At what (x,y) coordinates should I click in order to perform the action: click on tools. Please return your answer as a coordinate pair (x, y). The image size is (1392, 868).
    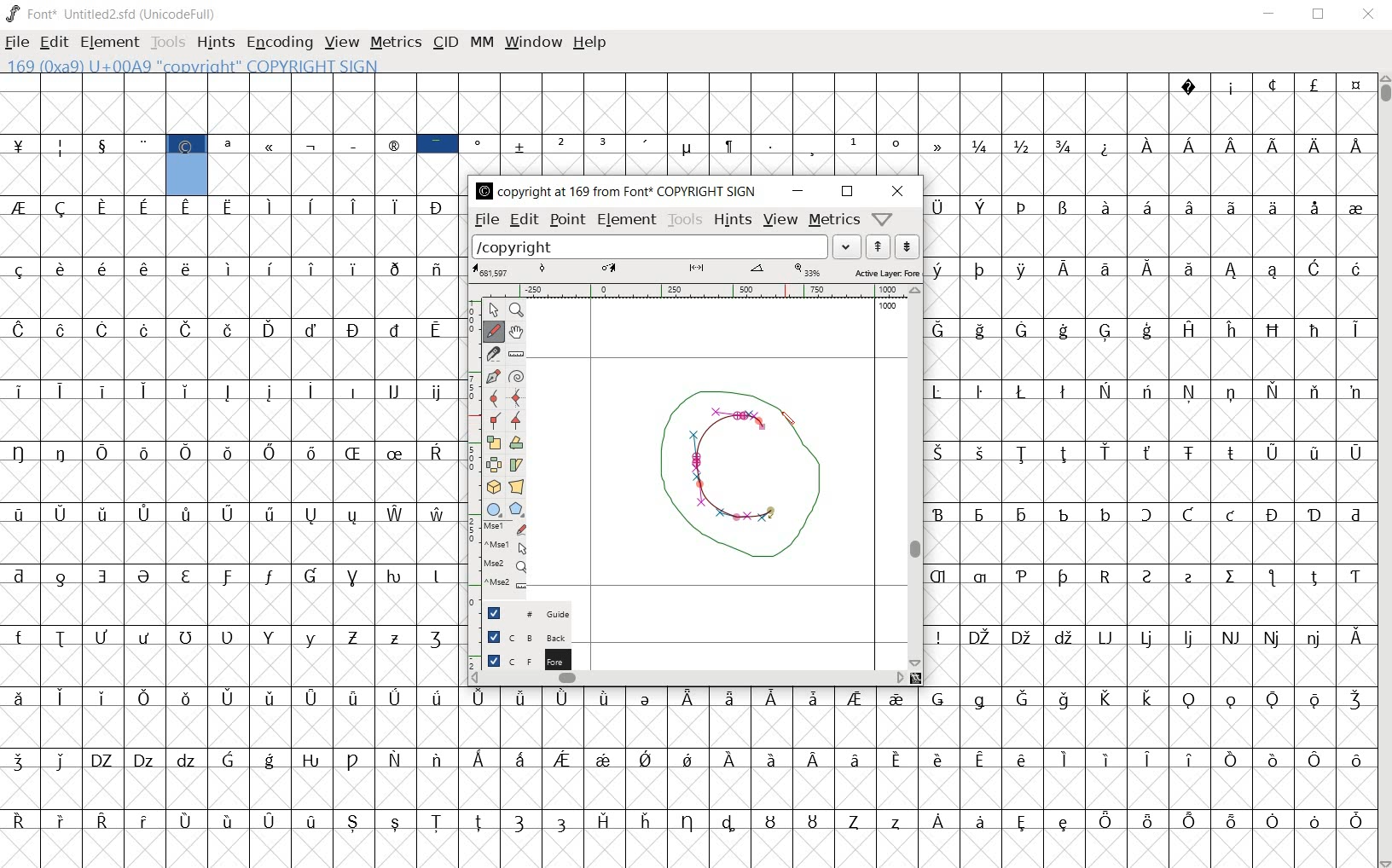
    Looking at the image, I should click on (170, 44).